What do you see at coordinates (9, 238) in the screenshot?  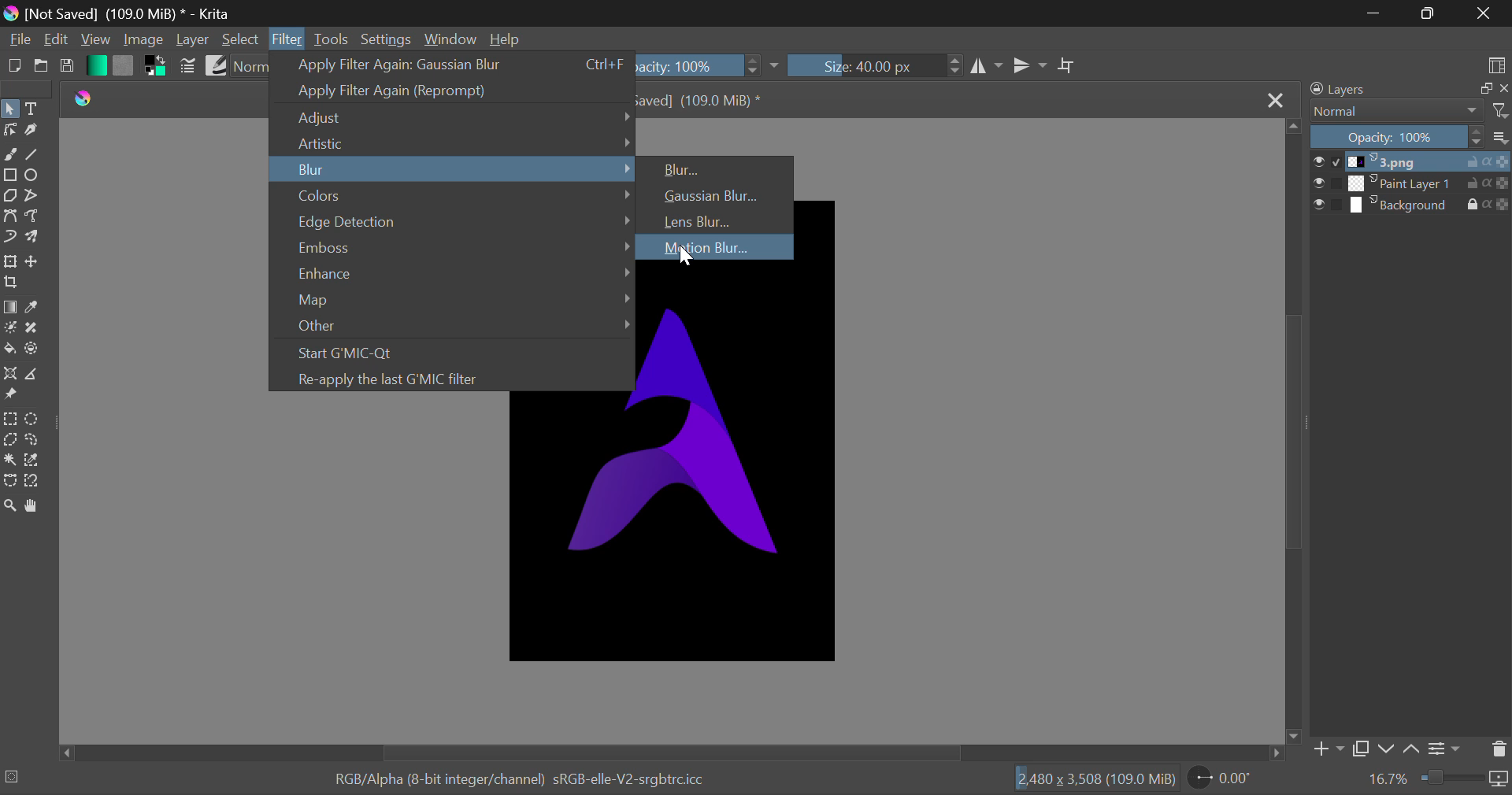 I see `Dynamic Brush` at bounding box center [9, 238].